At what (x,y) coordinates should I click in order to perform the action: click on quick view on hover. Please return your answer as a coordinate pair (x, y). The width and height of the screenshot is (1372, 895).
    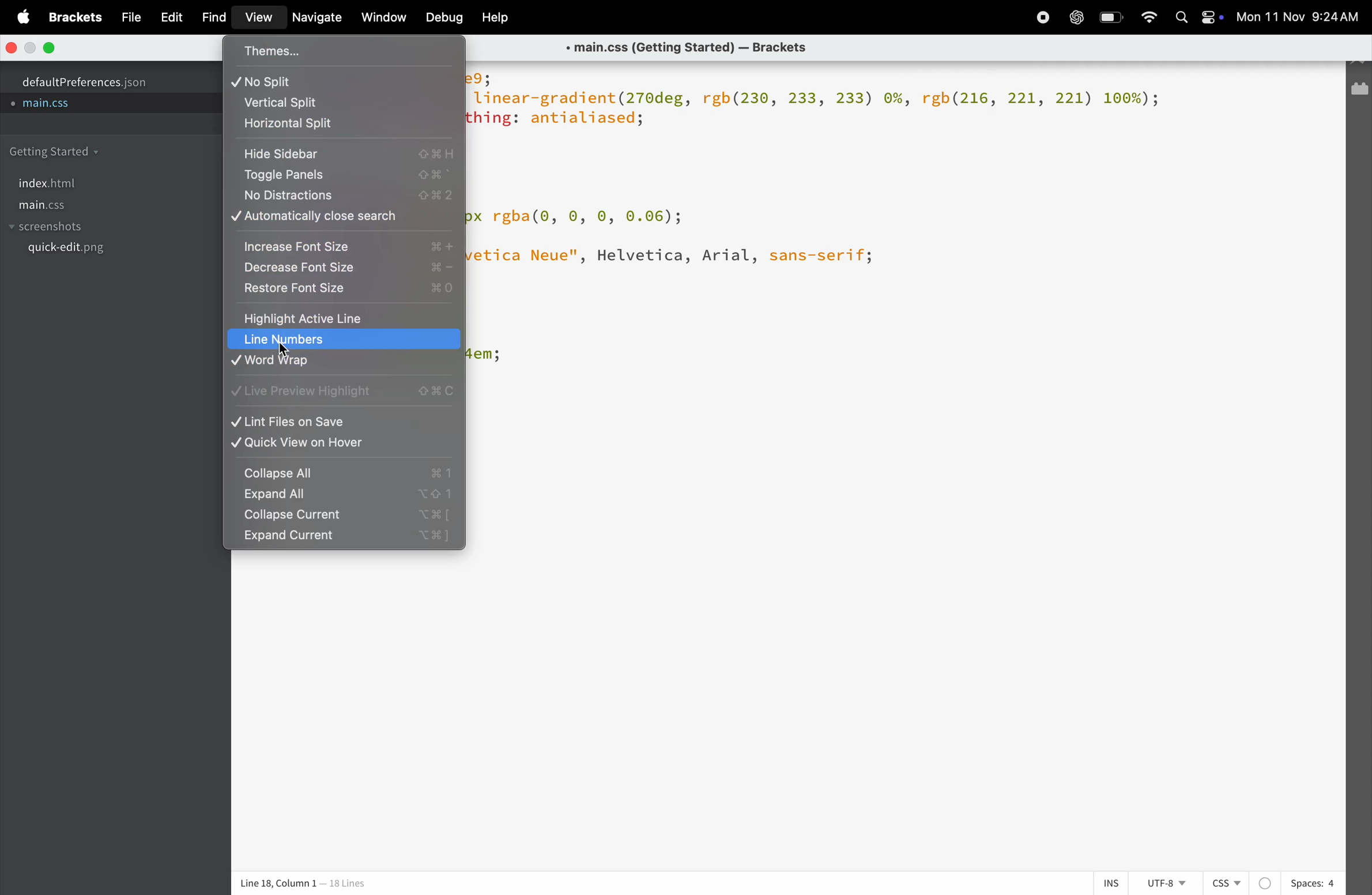
    Looking at the image, I should click on (344, 444).